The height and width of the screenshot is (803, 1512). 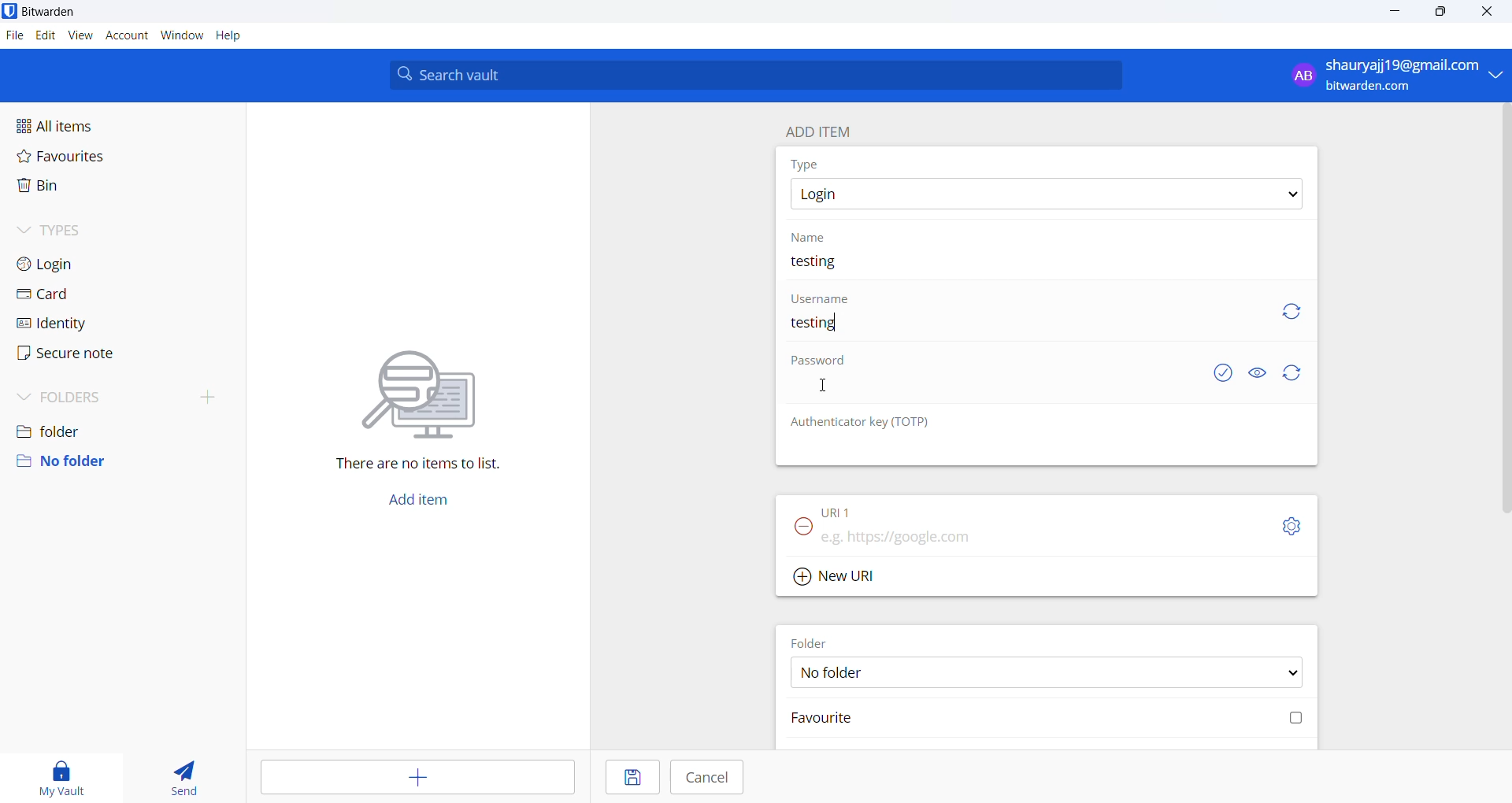 I want to click on minimize, so click(x=1396, y=12).